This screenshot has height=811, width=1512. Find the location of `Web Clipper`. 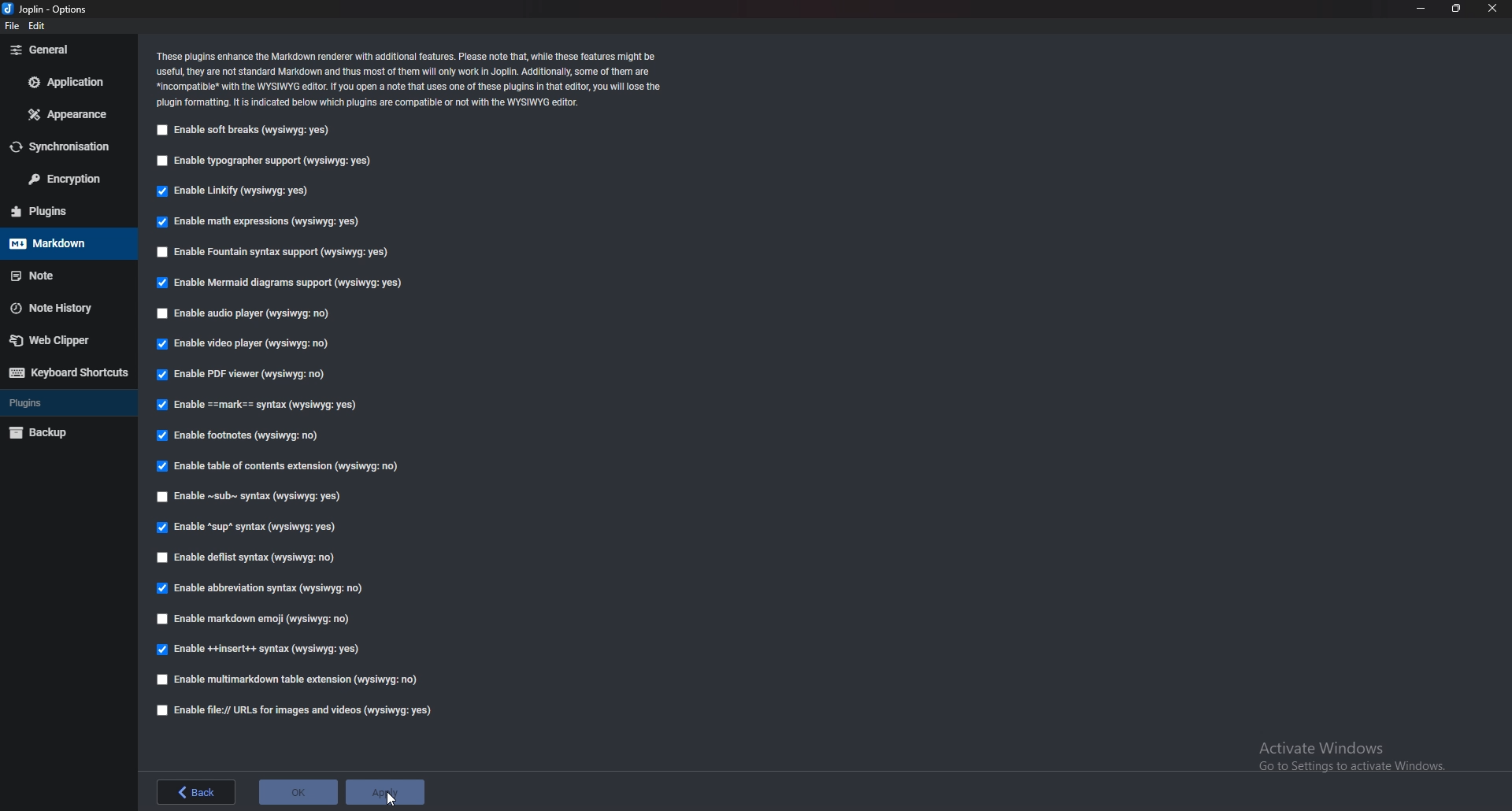

Web Clipper is located at coordinates (68, 339).